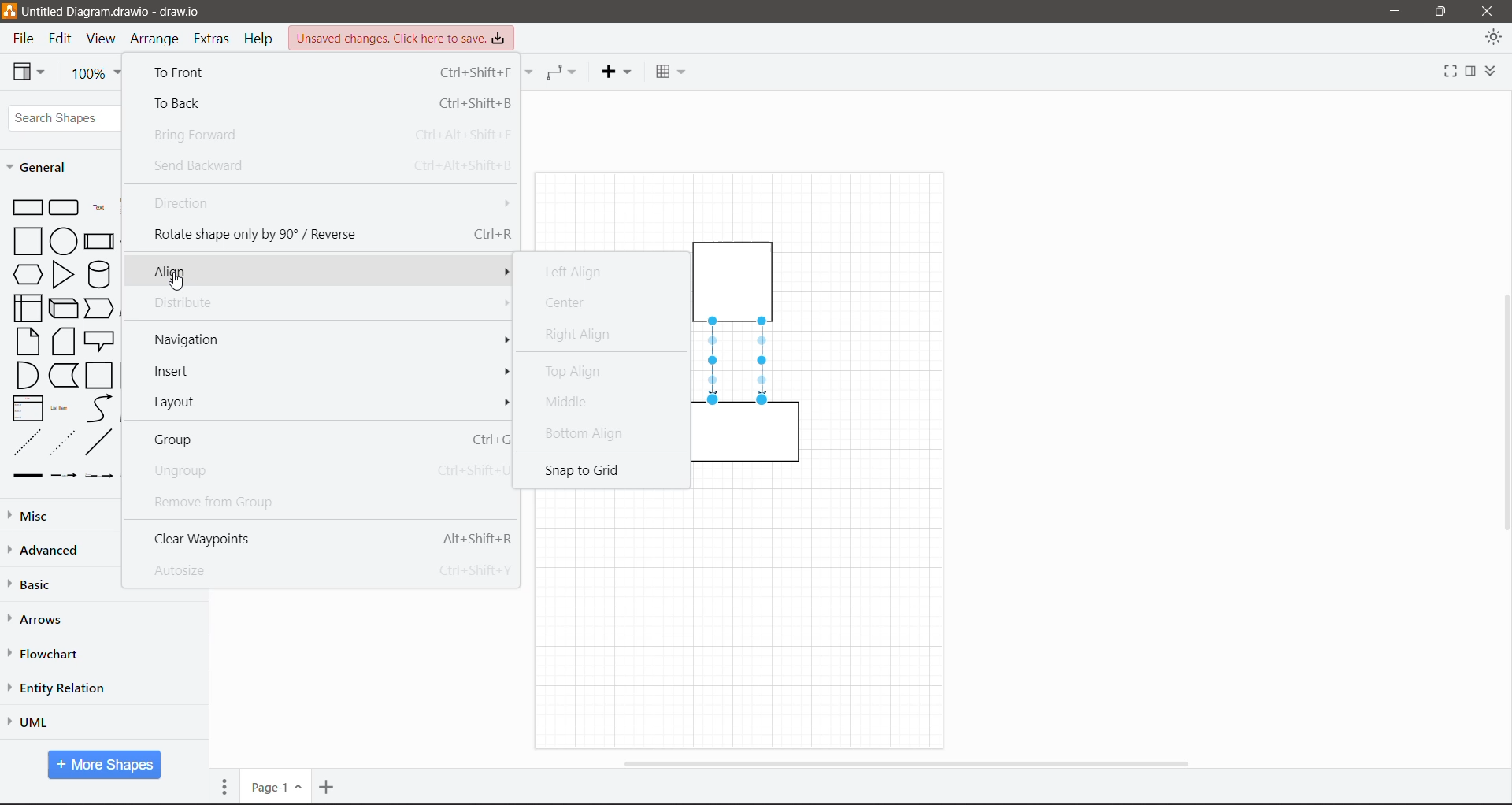 Image resolution: width=1512 pixels, height=805 pixels. Describe the element at coordinates (1502, 412) in the screenshot. I see `Vertical Scroll Bar` at that location.